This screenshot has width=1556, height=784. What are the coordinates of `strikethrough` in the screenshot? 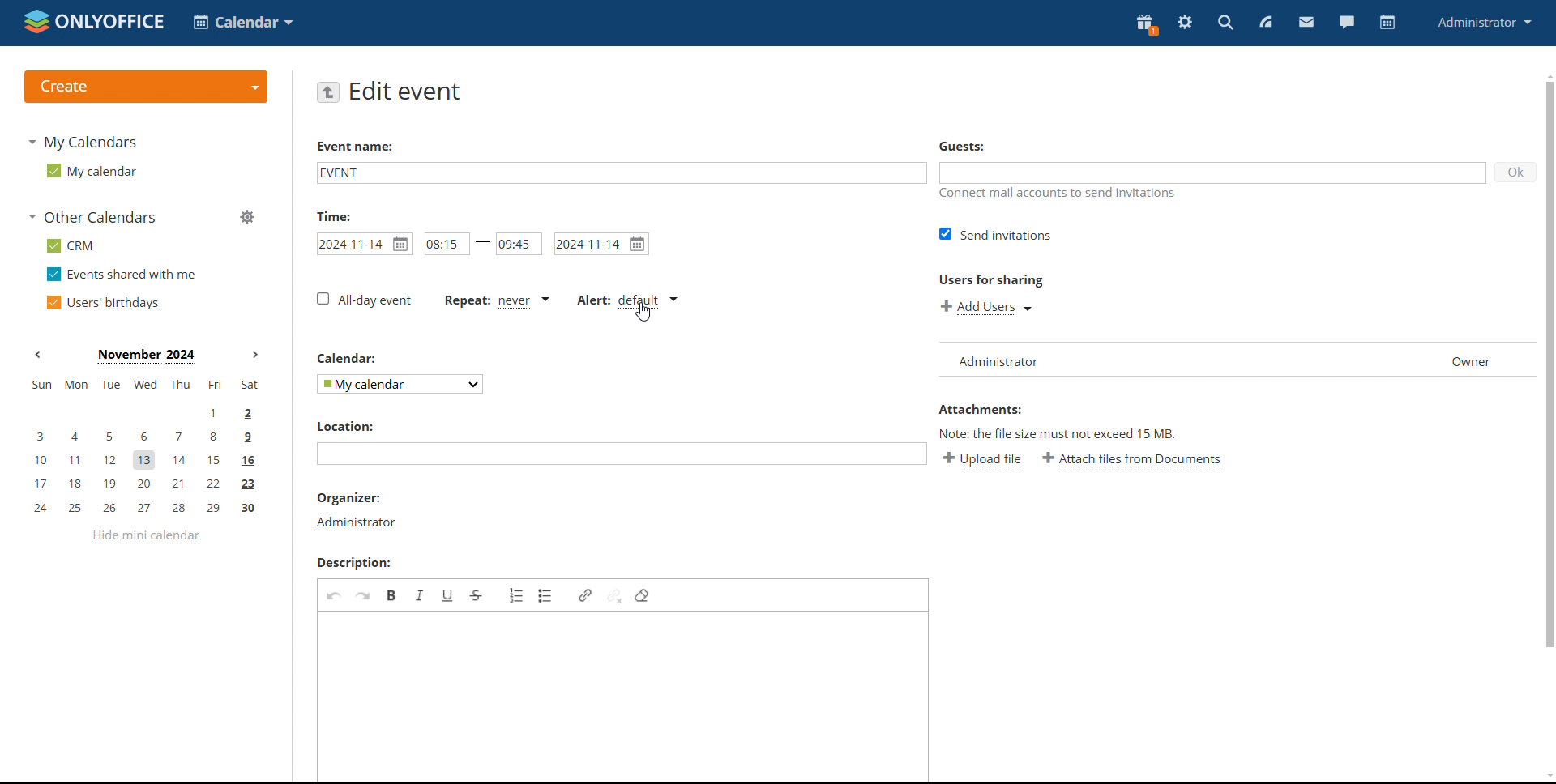 It's located at (477, 595).